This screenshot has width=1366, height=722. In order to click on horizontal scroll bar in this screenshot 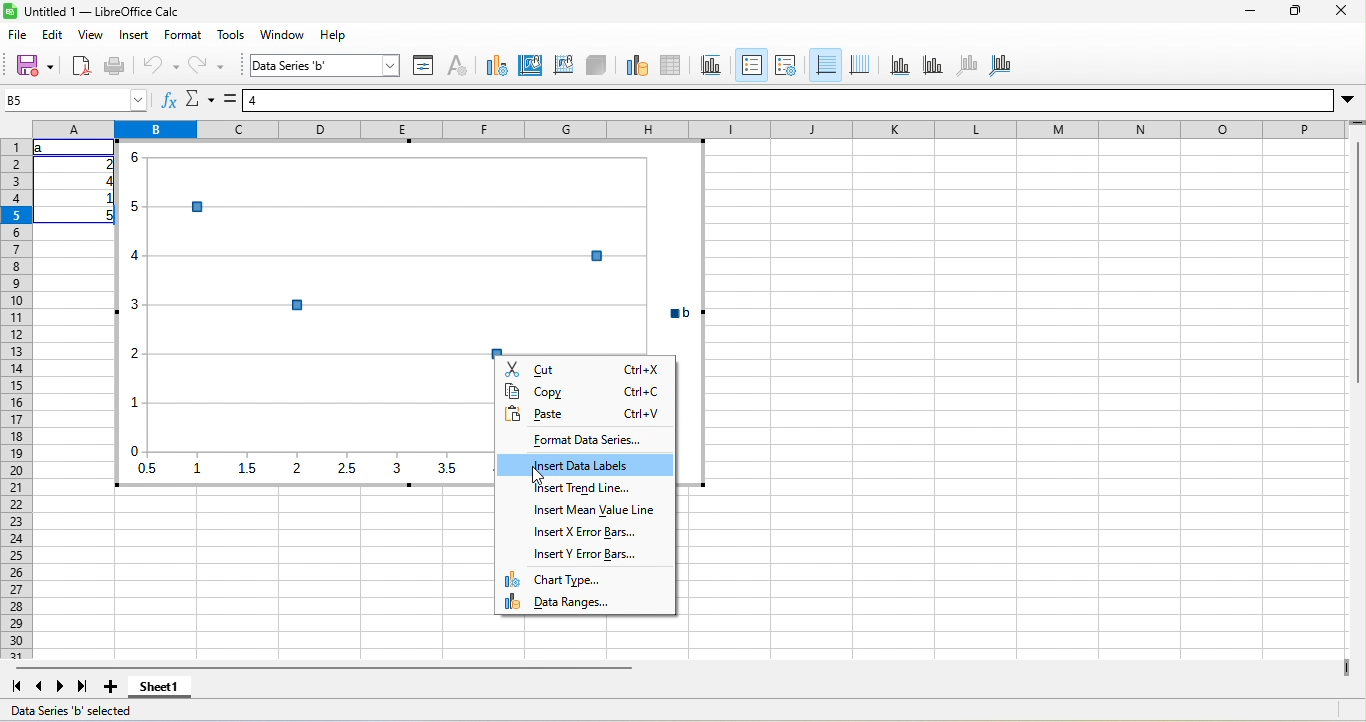, I will do `click(323, 668)`.